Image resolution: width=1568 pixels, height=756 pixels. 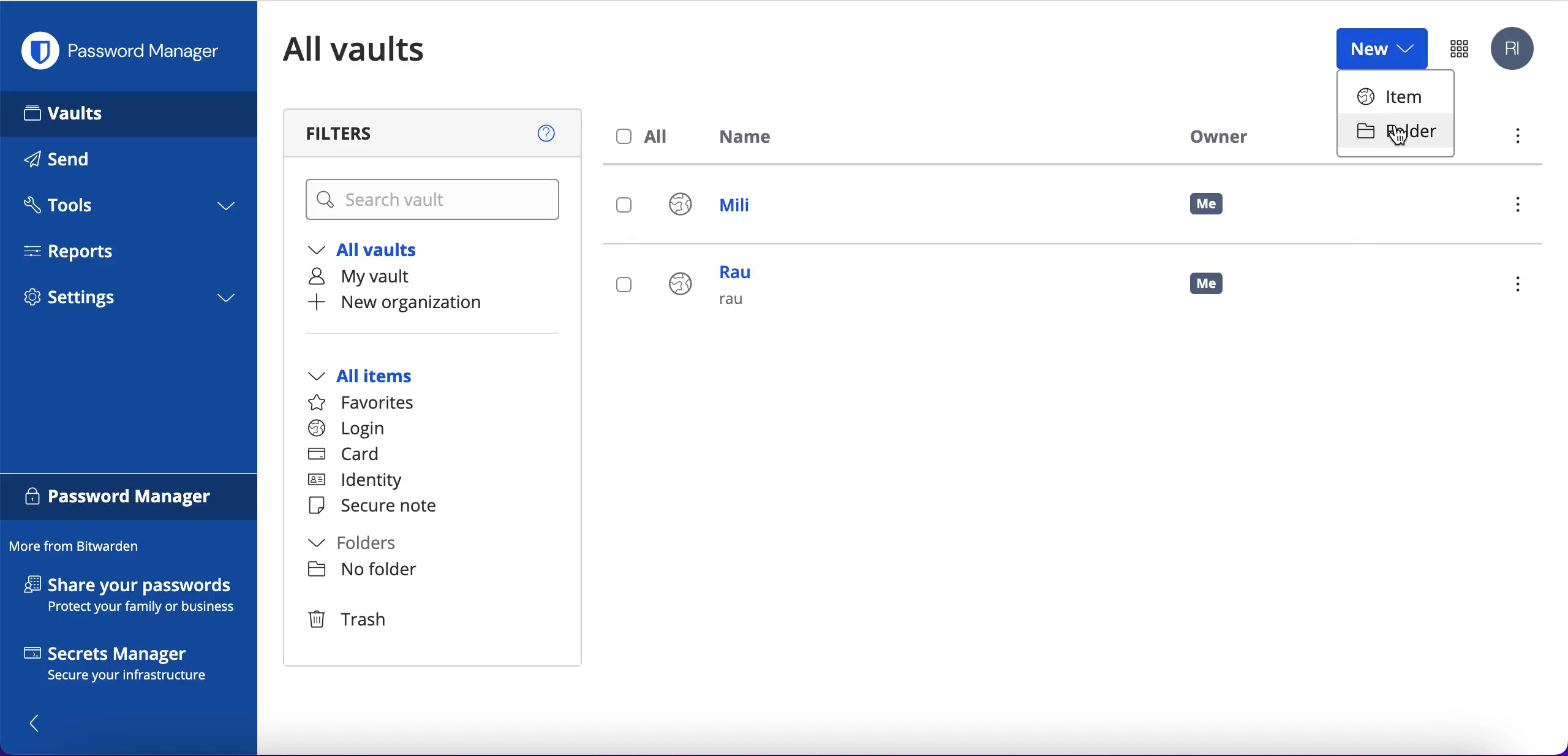 I want to click on more from bitwarden, so click(x=80, y=547).